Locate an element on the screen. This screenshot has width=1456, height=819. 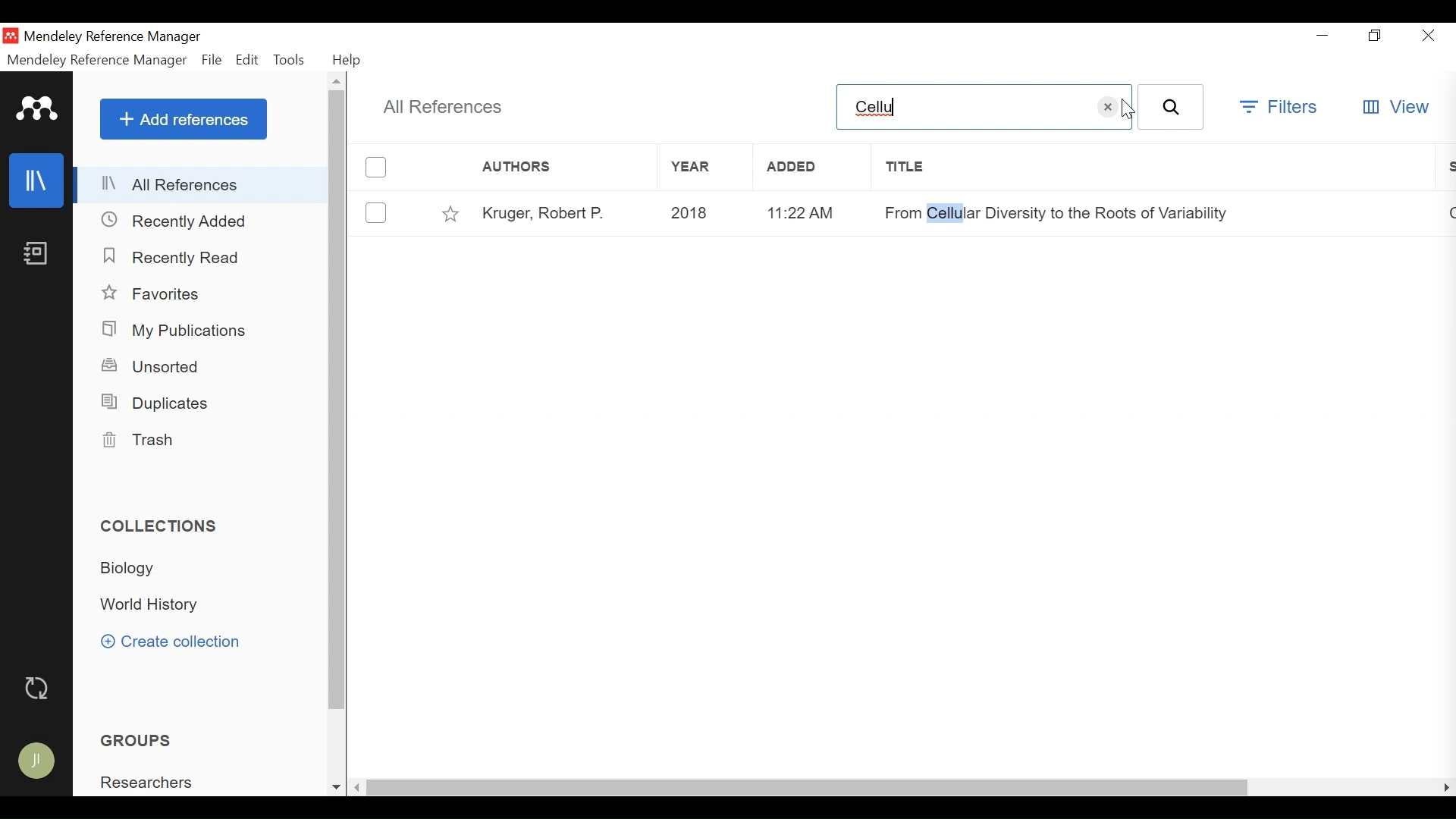
Toggle Favorites is located at coordinates (450, 212).